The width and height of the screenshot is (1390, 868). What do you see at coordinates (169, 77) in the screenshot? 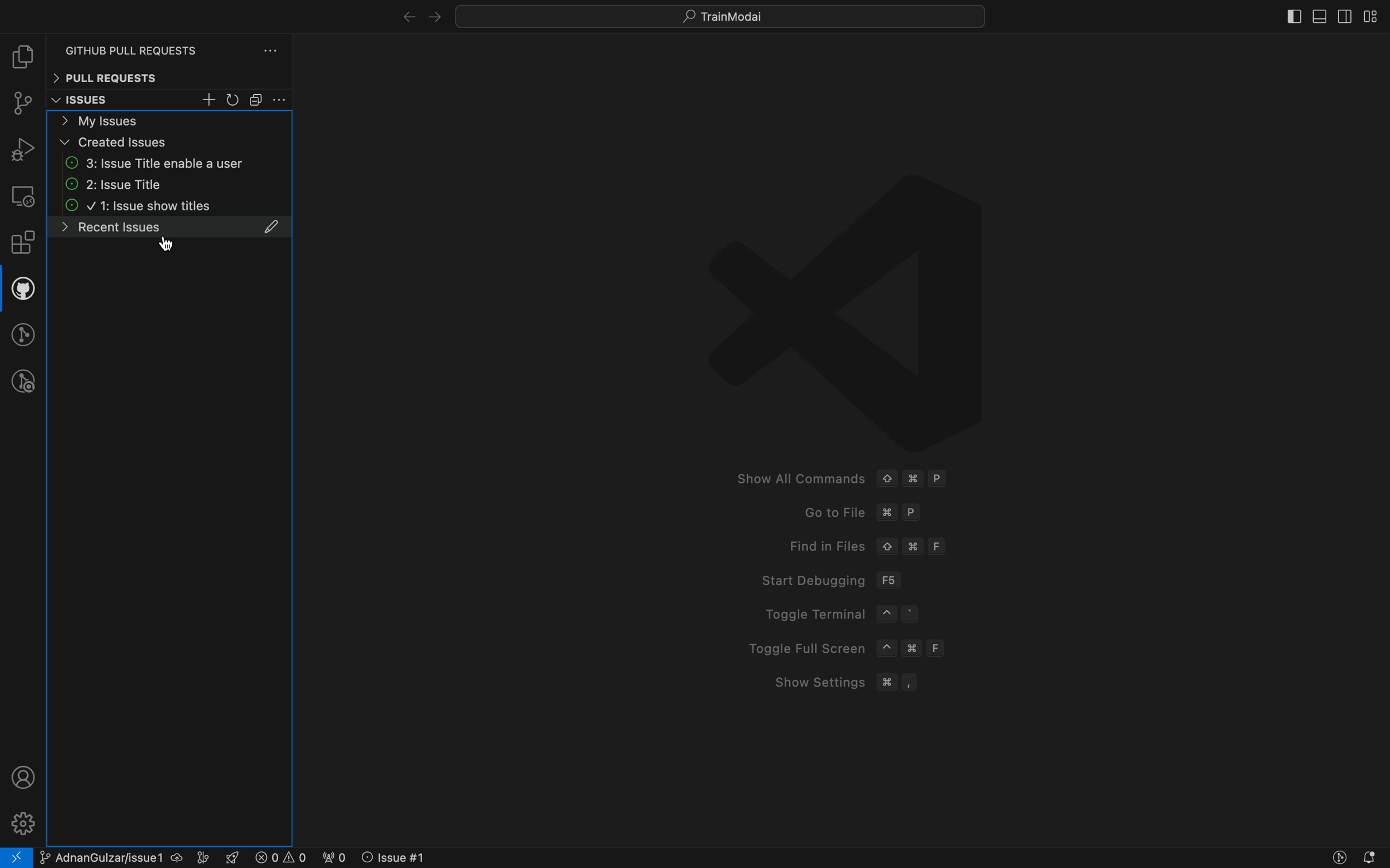
I see `pull requests` at bounding box center [169, 77].